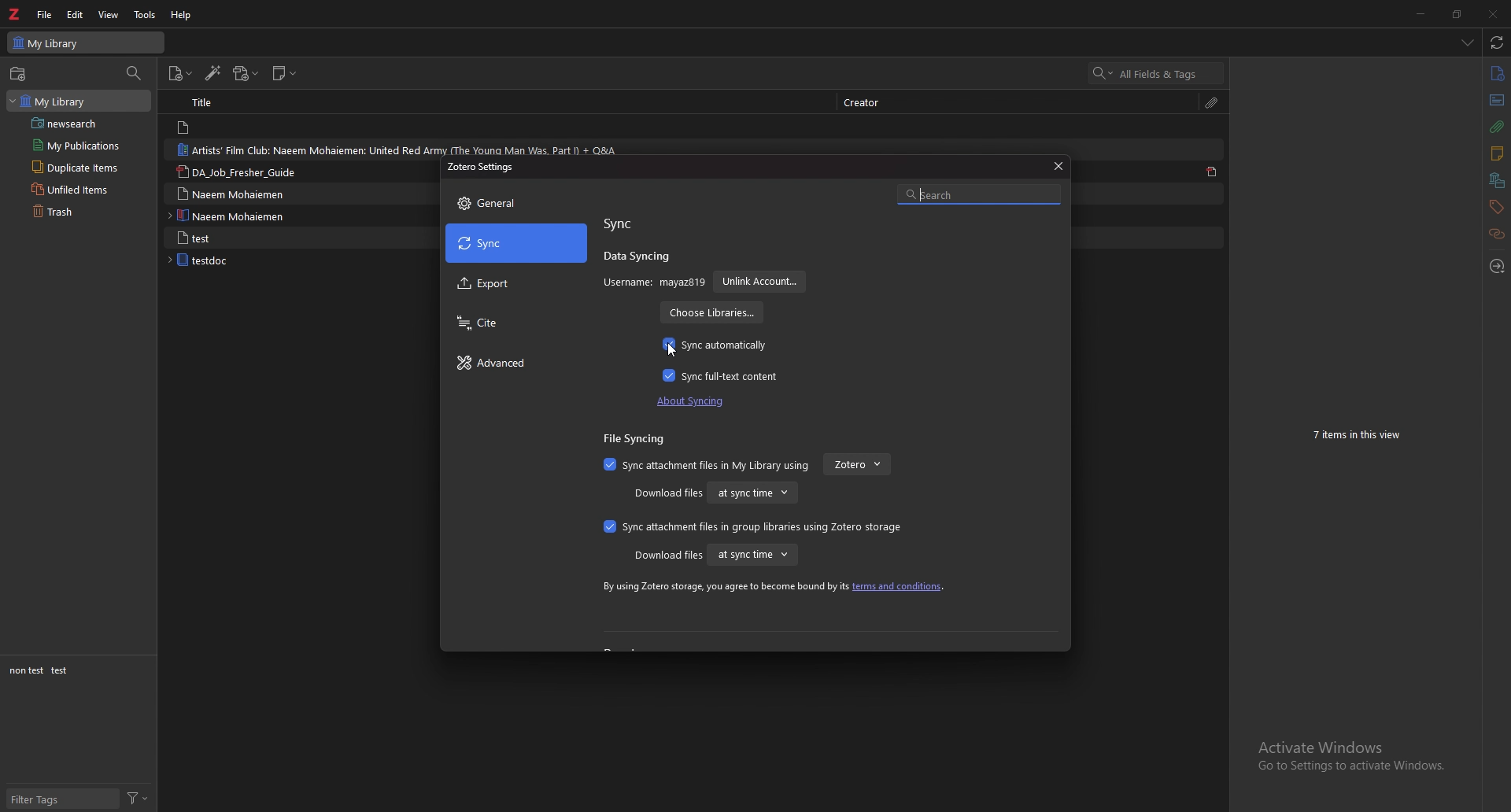 The width and height of the screenshot is (1511, 812). Describe the element at coordinates (707, 465) in the screenshot. I see `sync attachment files in my library using` at that location.